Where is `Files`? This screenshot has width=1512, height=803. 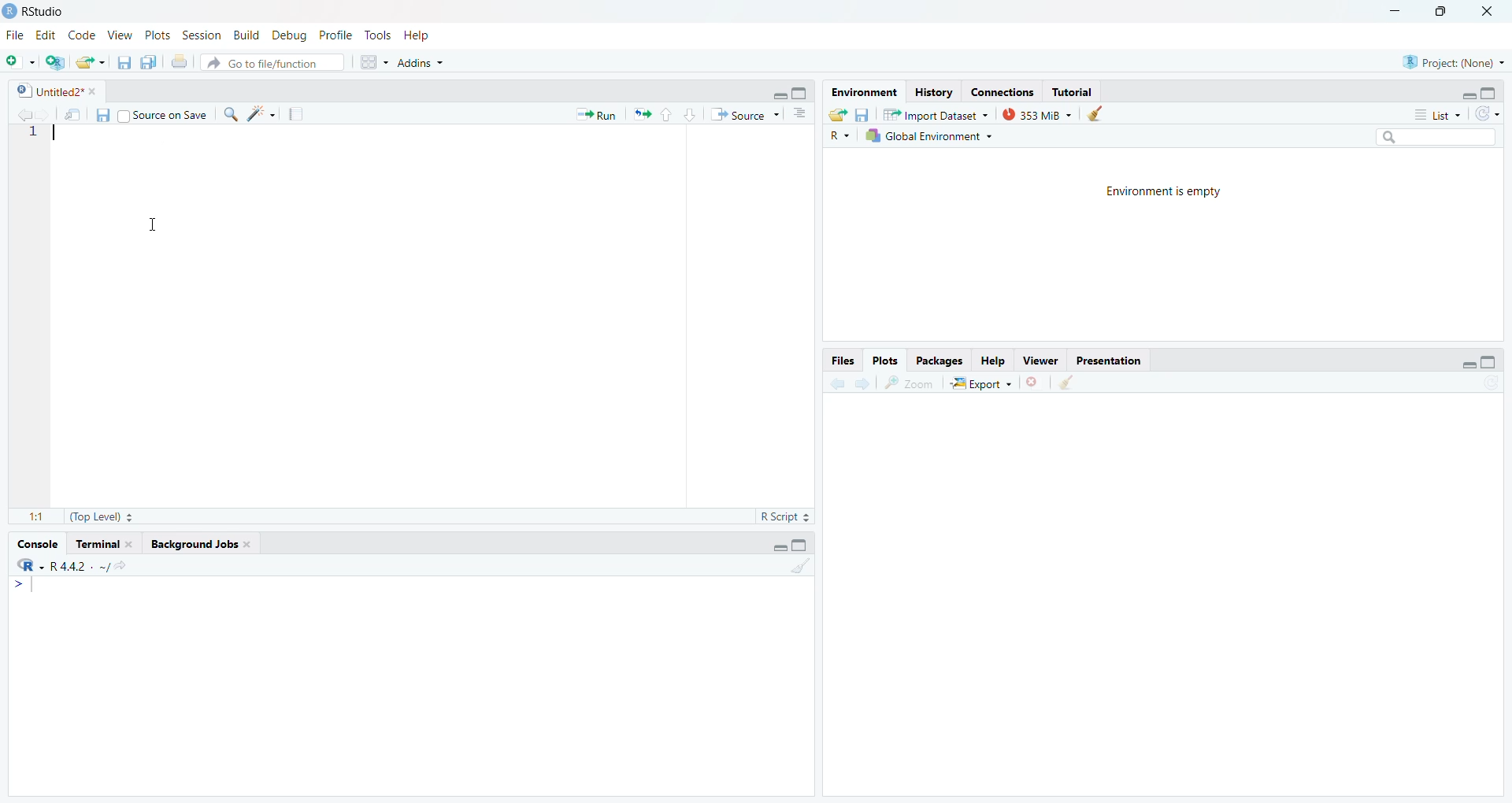
Files is located at coordinates (840, 361).